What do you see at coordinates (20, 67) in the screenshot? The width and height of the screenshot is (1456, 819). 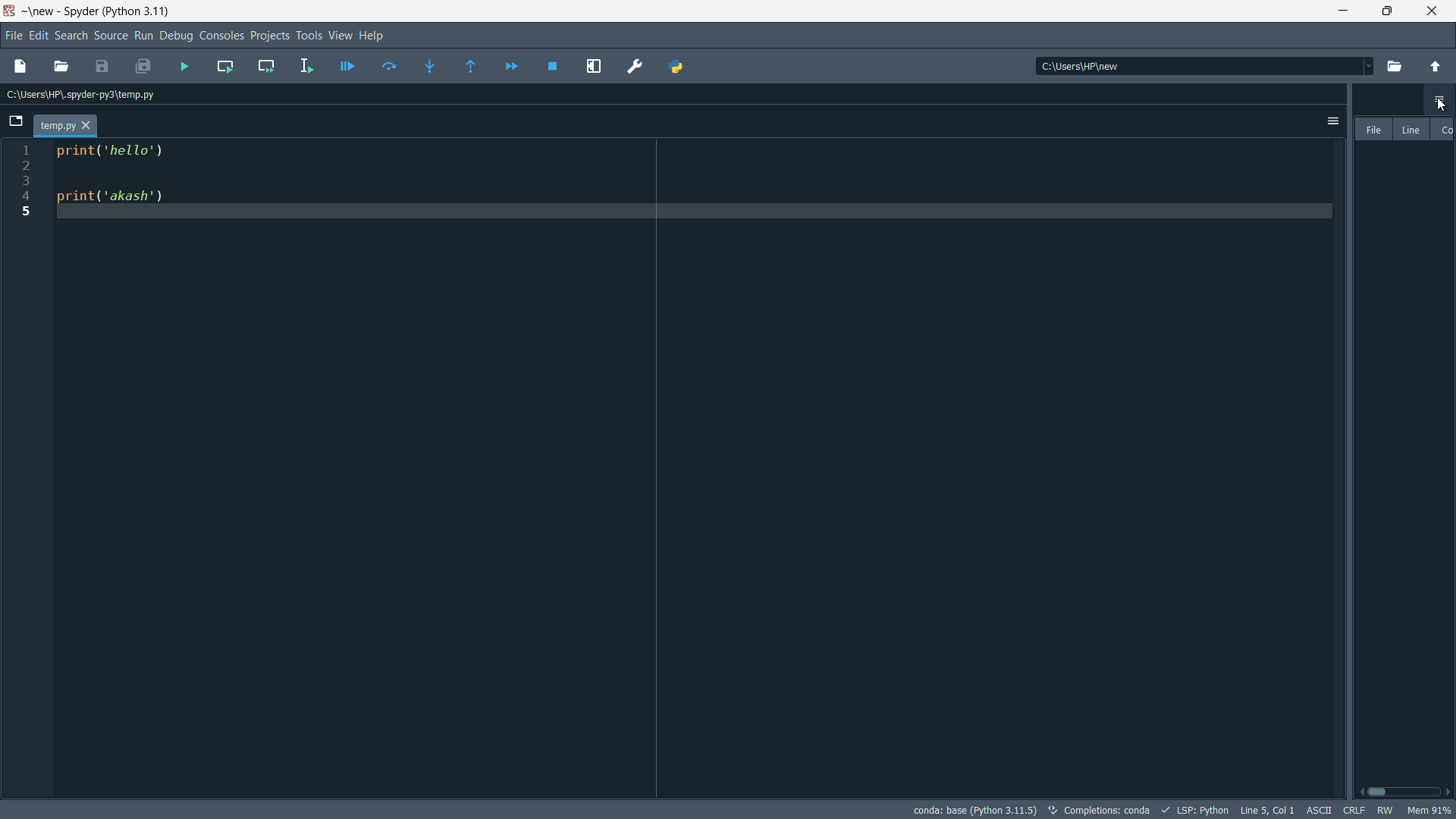 I see `new file` at bounding box center [20, 67].